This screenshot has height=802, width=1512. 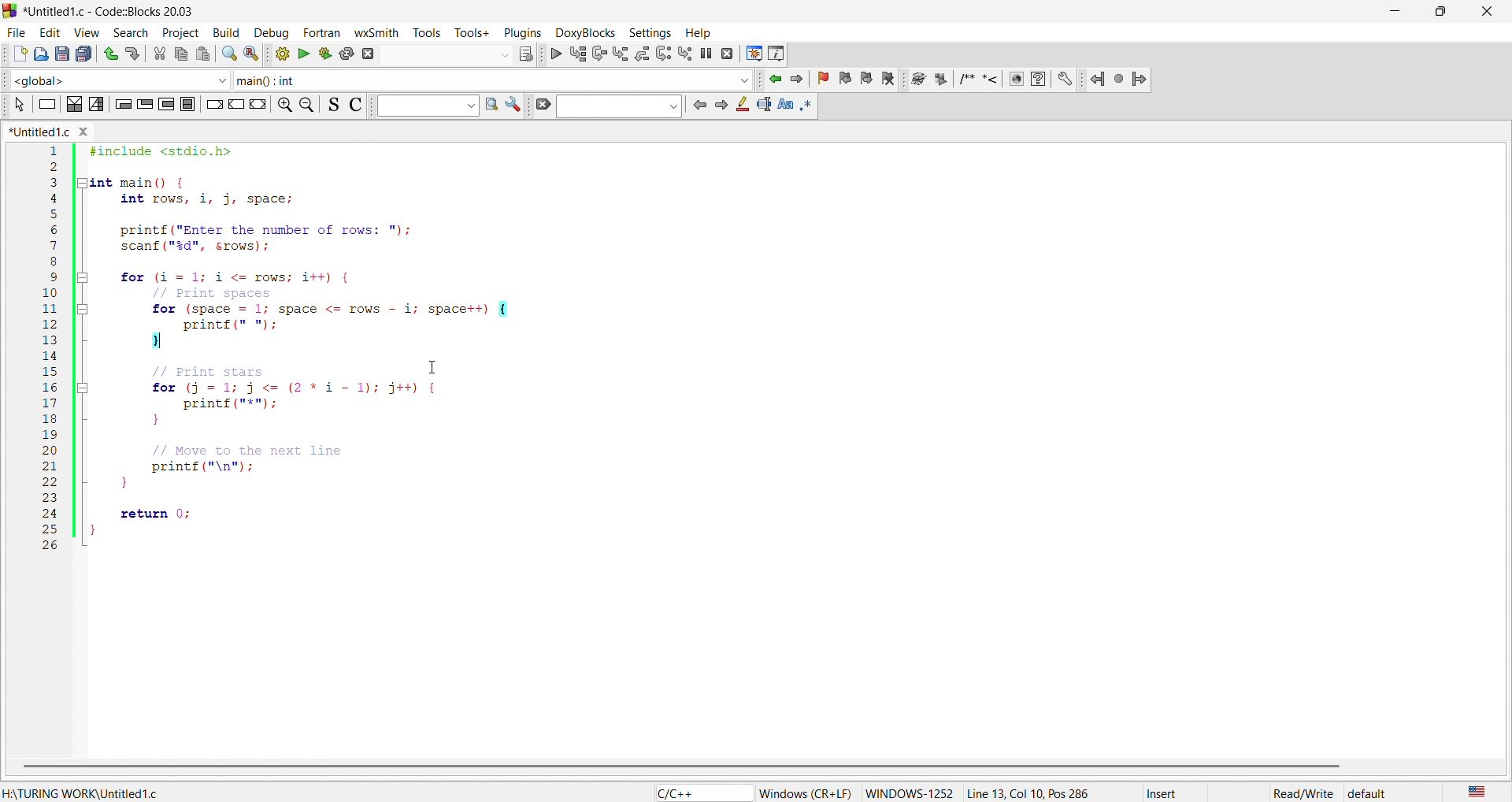 What do you see at coordinates (1141, 80) in the screenshot?
I see `jump forward` at bounding box center [1141, 80].